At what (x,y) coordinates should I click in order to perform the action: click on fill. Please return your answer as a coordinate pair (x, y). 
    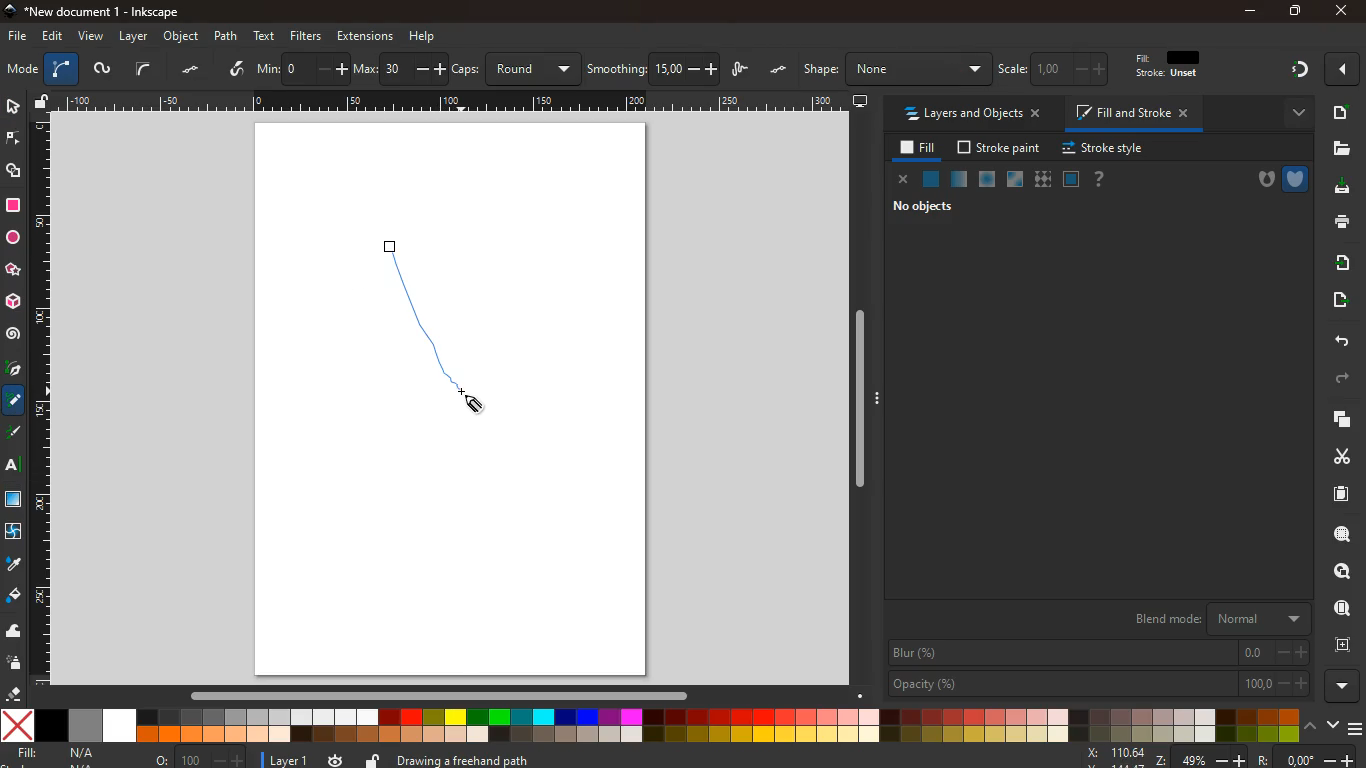
    Looking at the image, I should click on (1177, 65).